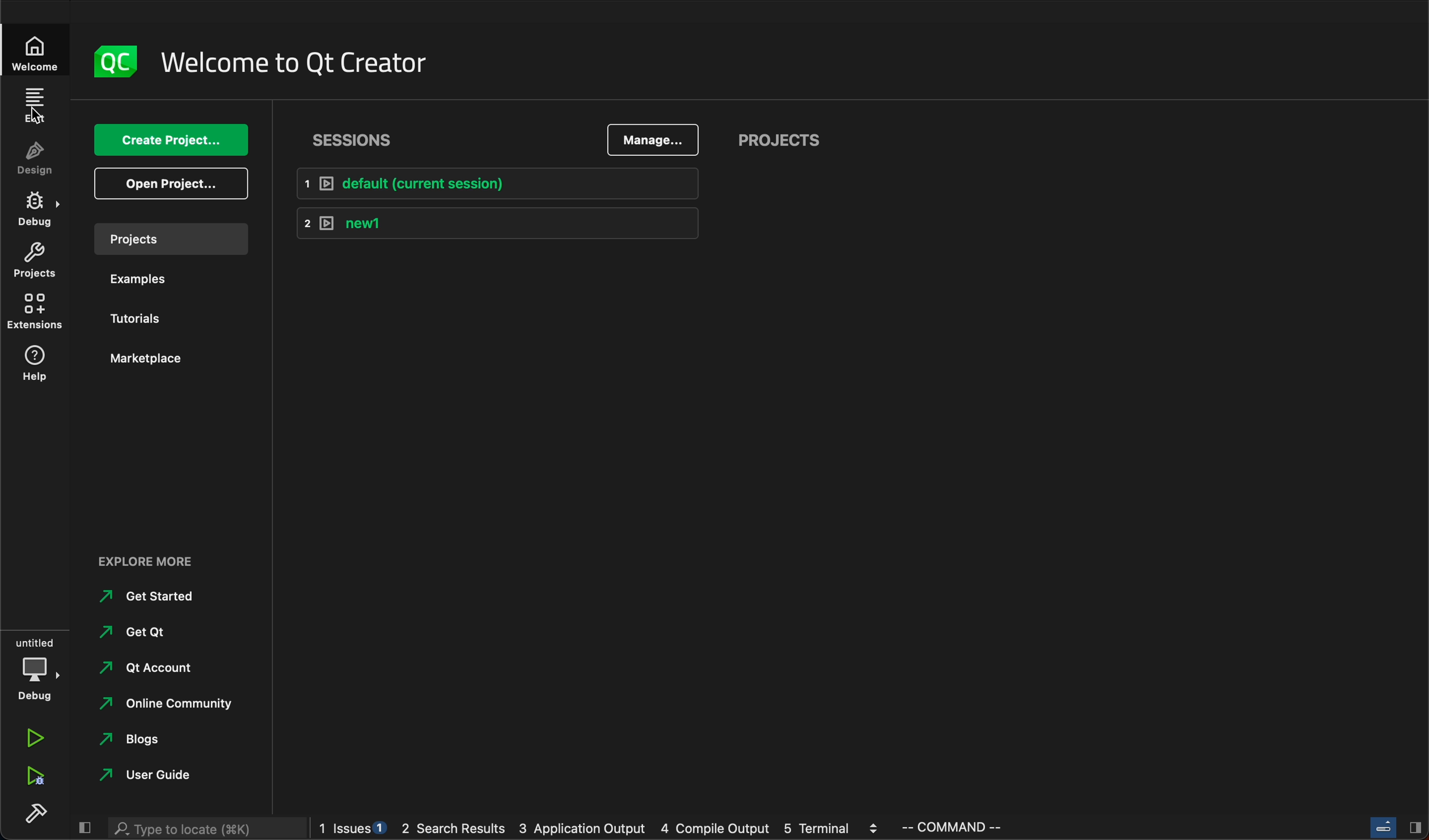 The height and width of the screenshot is (840, 1429). Describe the element at coordinates (773, 138) in the screenshot. I see `projects` at that location.